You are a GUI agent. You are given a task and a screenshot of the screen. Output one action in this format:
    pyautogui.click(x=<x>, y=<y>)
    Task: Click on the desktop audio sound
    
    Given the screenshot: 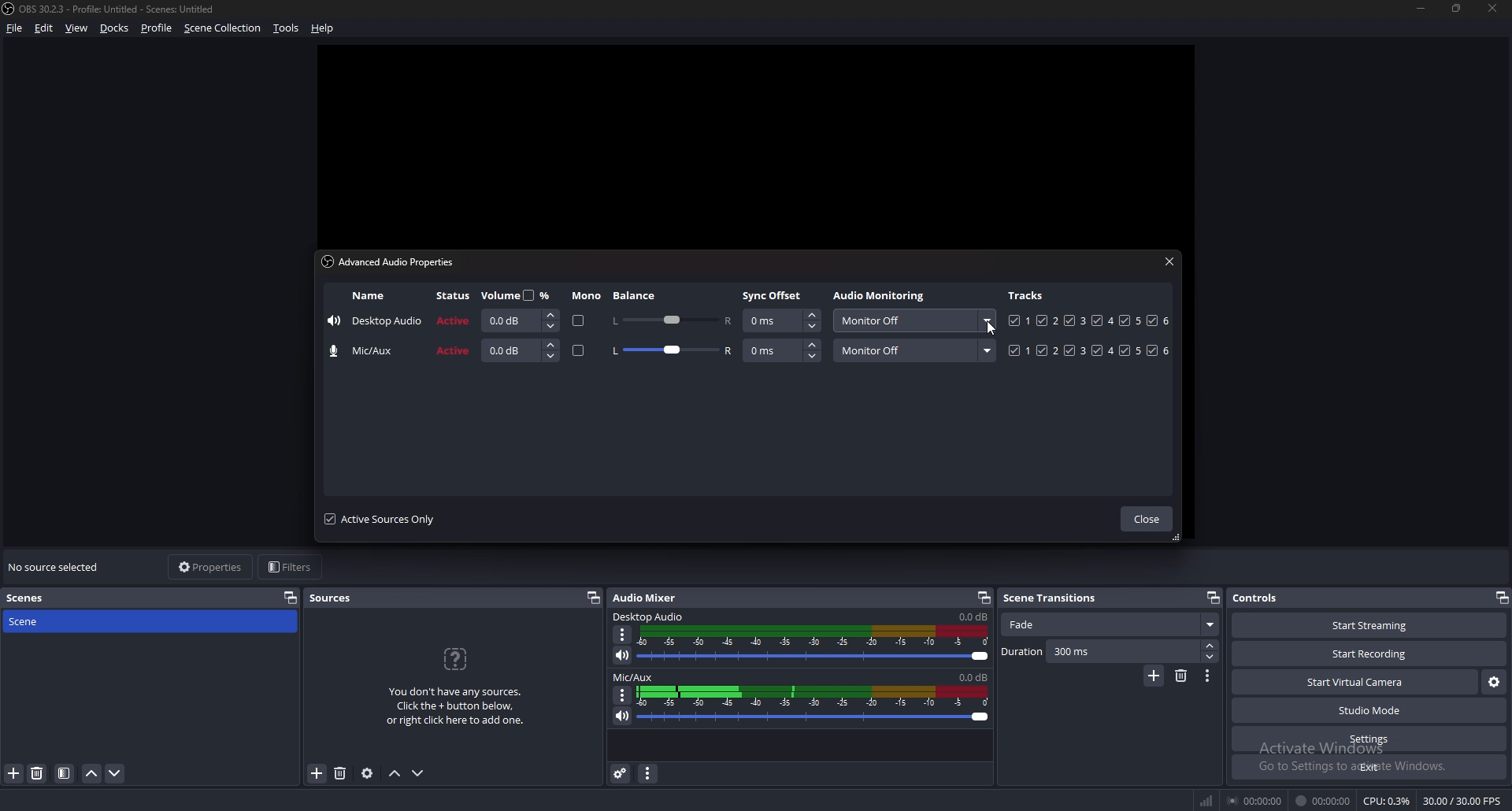 What is the action you would take?
    pyautogui.click(x=973, y=617)
    